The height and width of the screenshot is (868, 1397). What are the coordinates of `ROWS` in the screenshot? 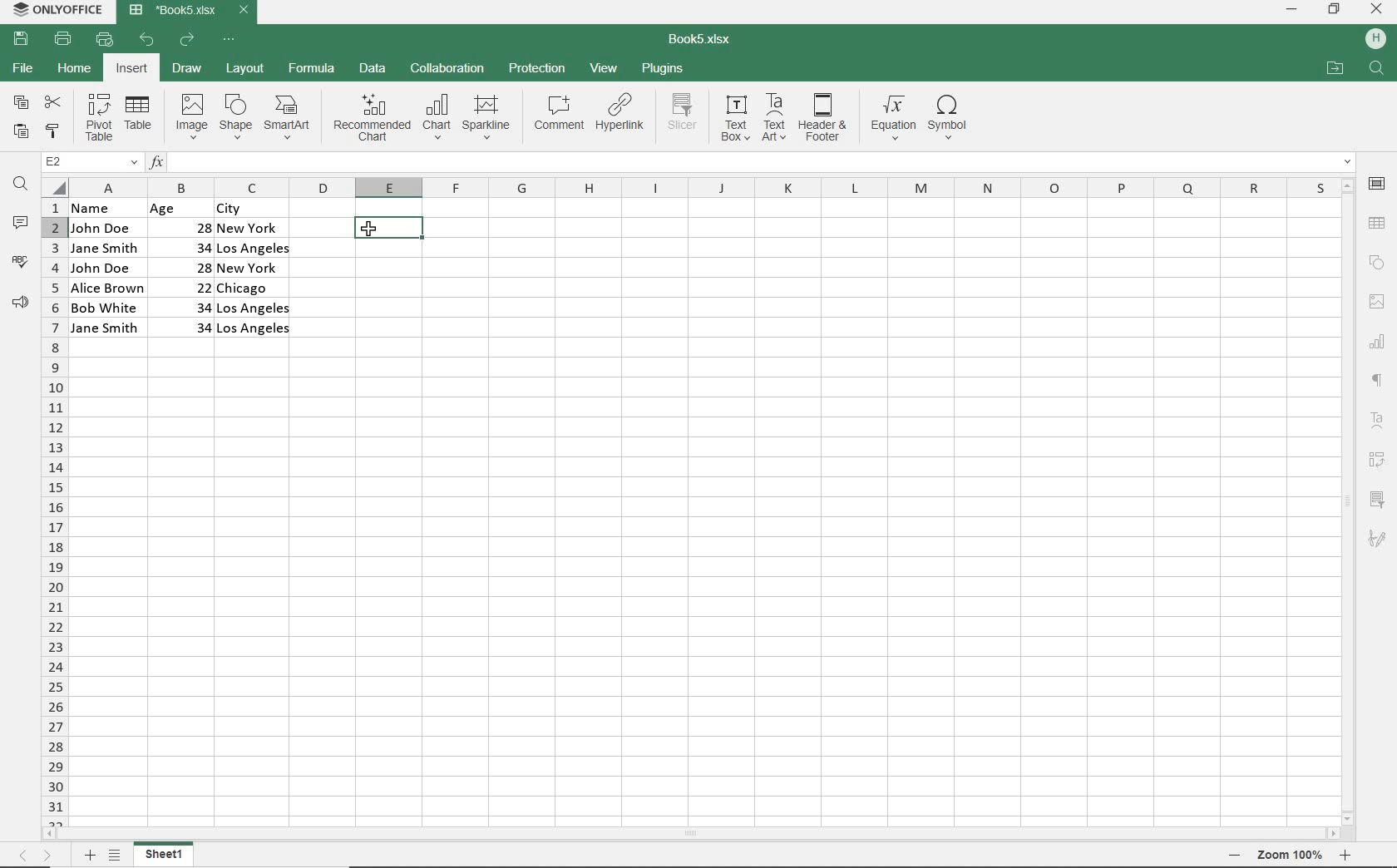 It's located at (52, 510).